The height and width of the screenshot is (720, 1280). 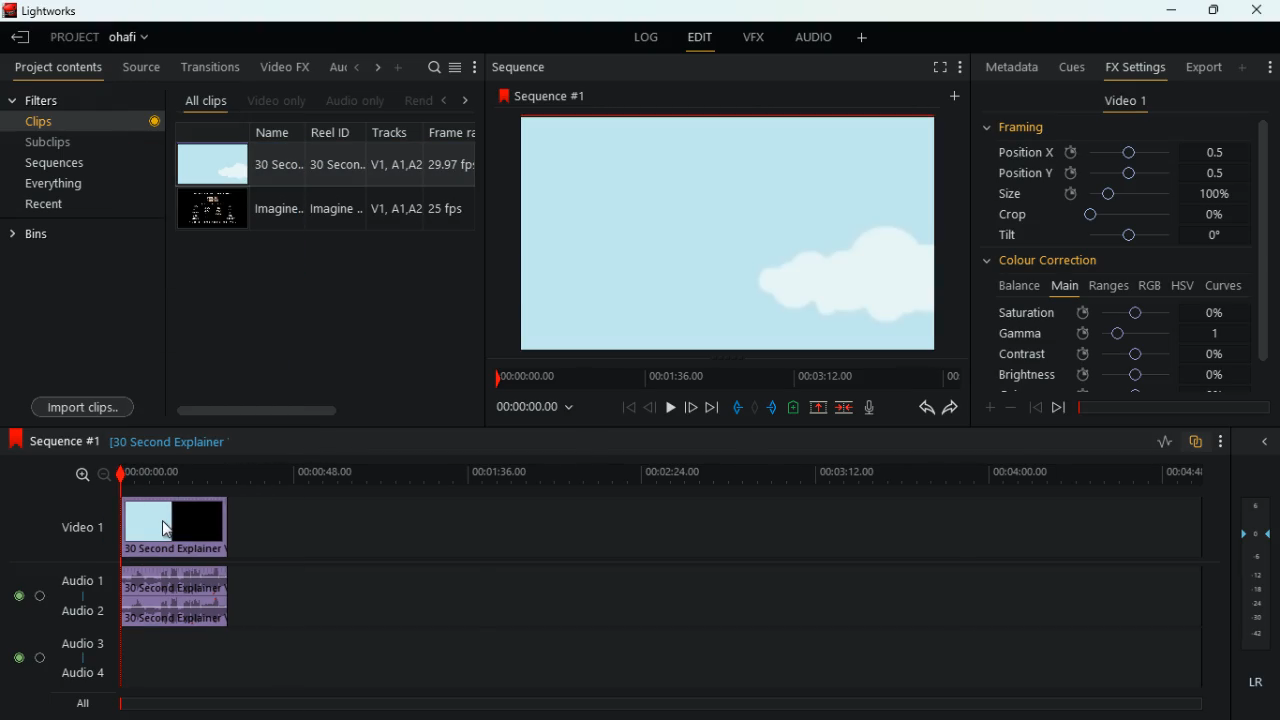 What do you see at coordinates (65, 10) in the screenshot?
I see `lightworks` at bounding box center [65, 10].